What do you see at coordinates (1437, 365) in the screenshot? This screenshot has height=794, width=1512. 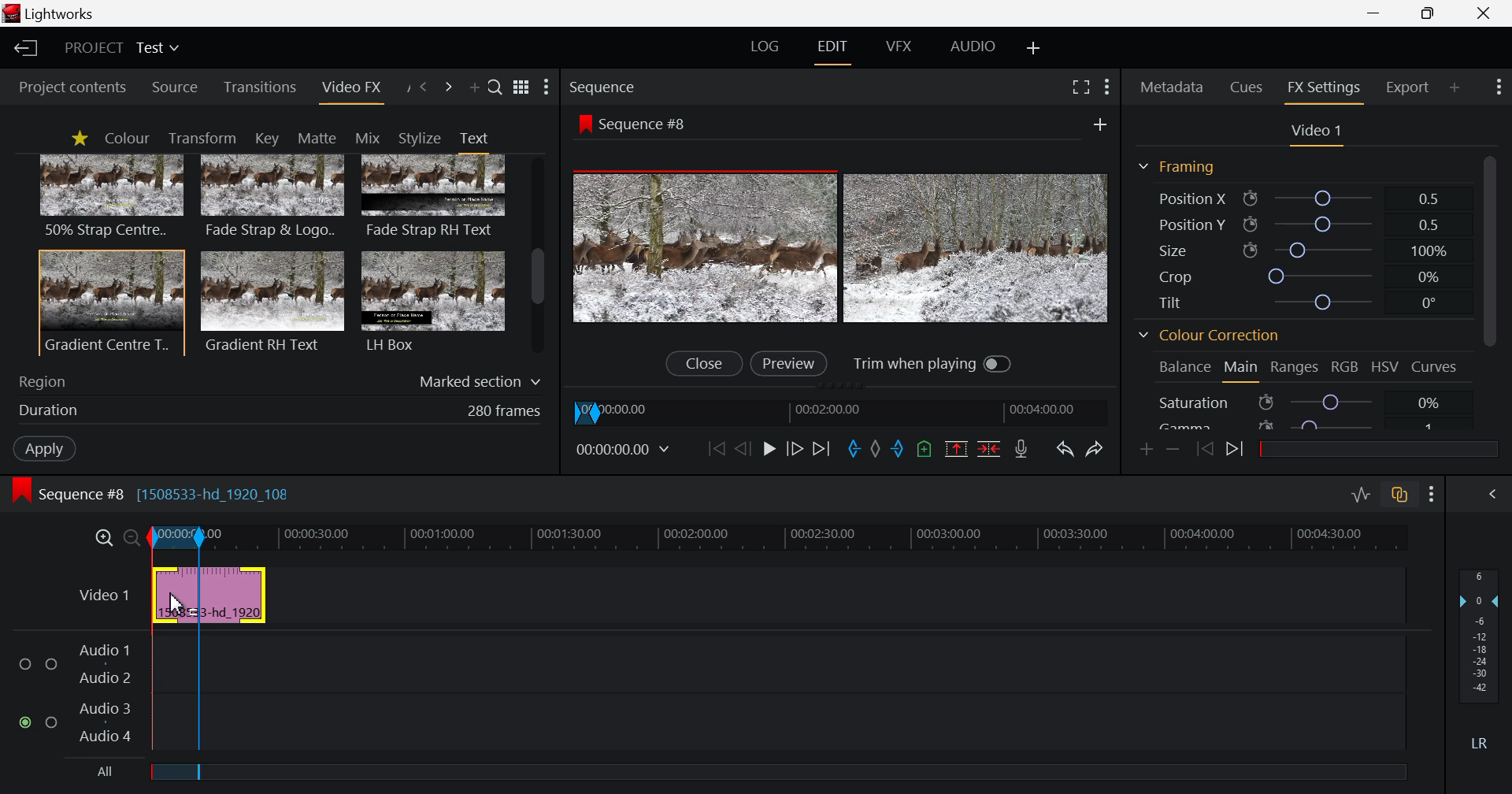 I see `Curves` at bounding box center [1437, 365].